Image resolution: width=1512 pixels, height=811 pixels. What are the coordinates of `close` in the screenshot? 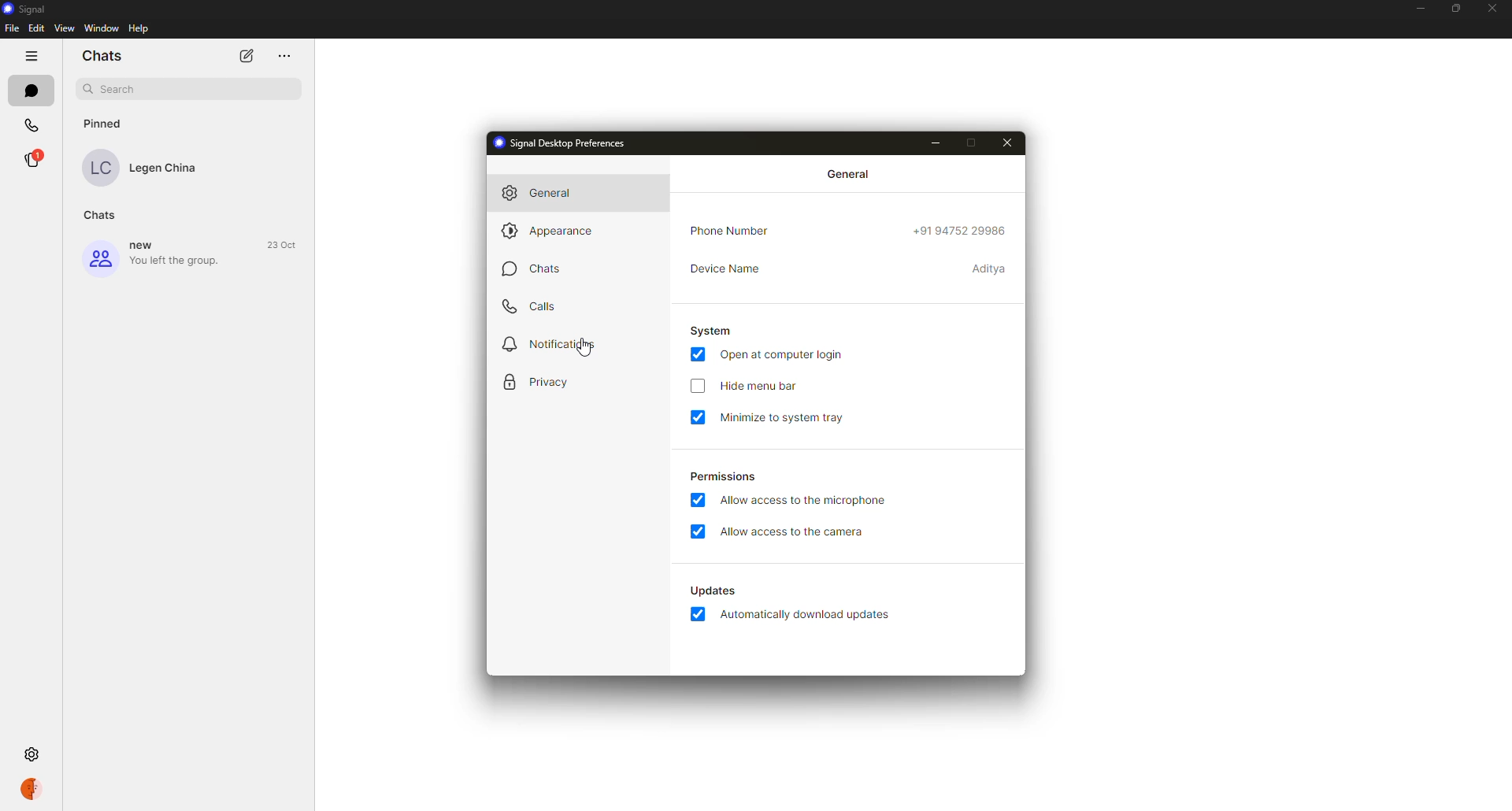 It's located at (1494, 9).